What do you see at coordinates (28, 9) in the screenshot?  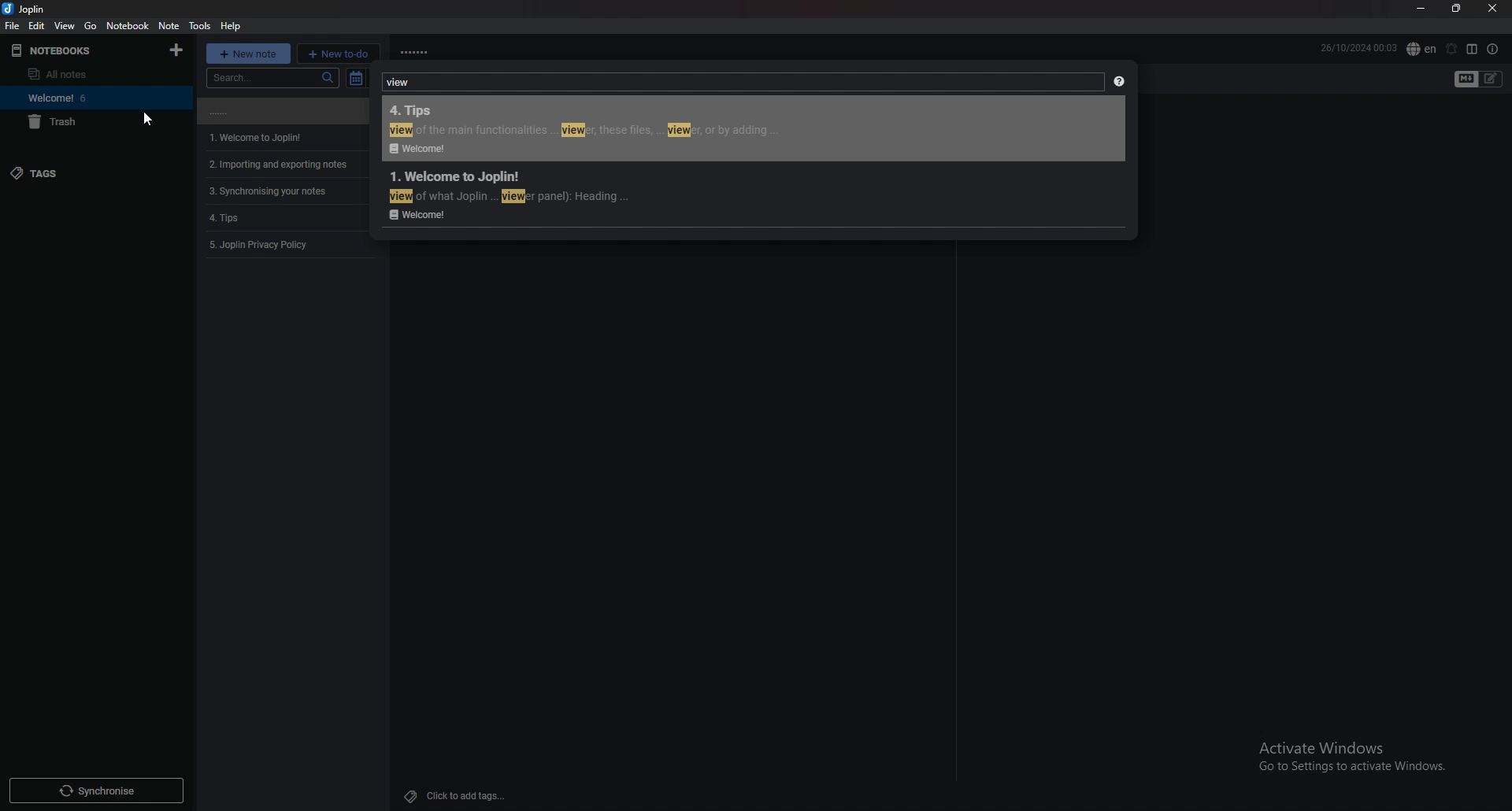 I see `joplin` at bounding box center [28, 9].